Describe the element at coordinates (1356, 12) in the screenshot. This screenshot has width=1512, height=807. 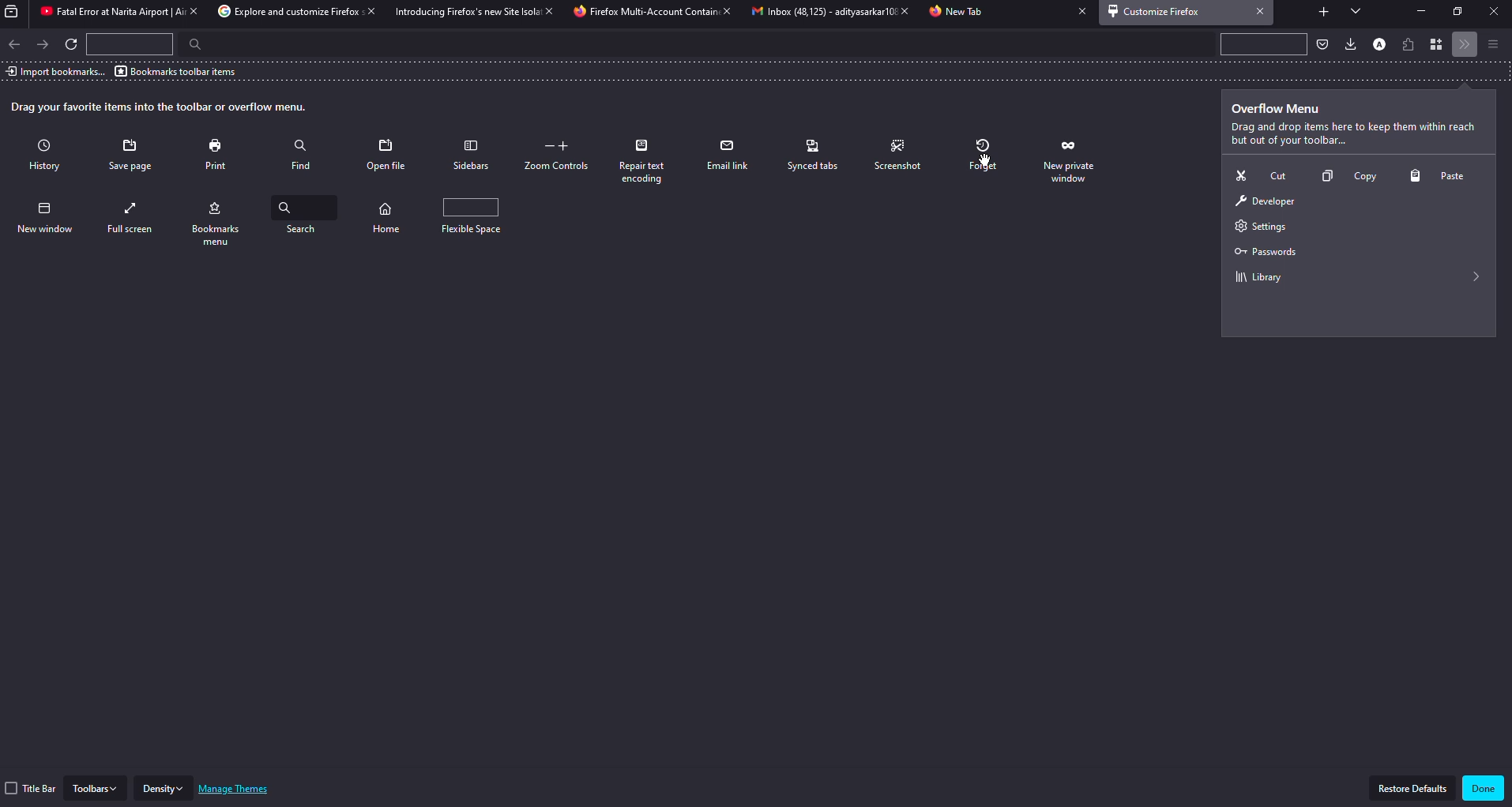
I see `tabs` at that location.